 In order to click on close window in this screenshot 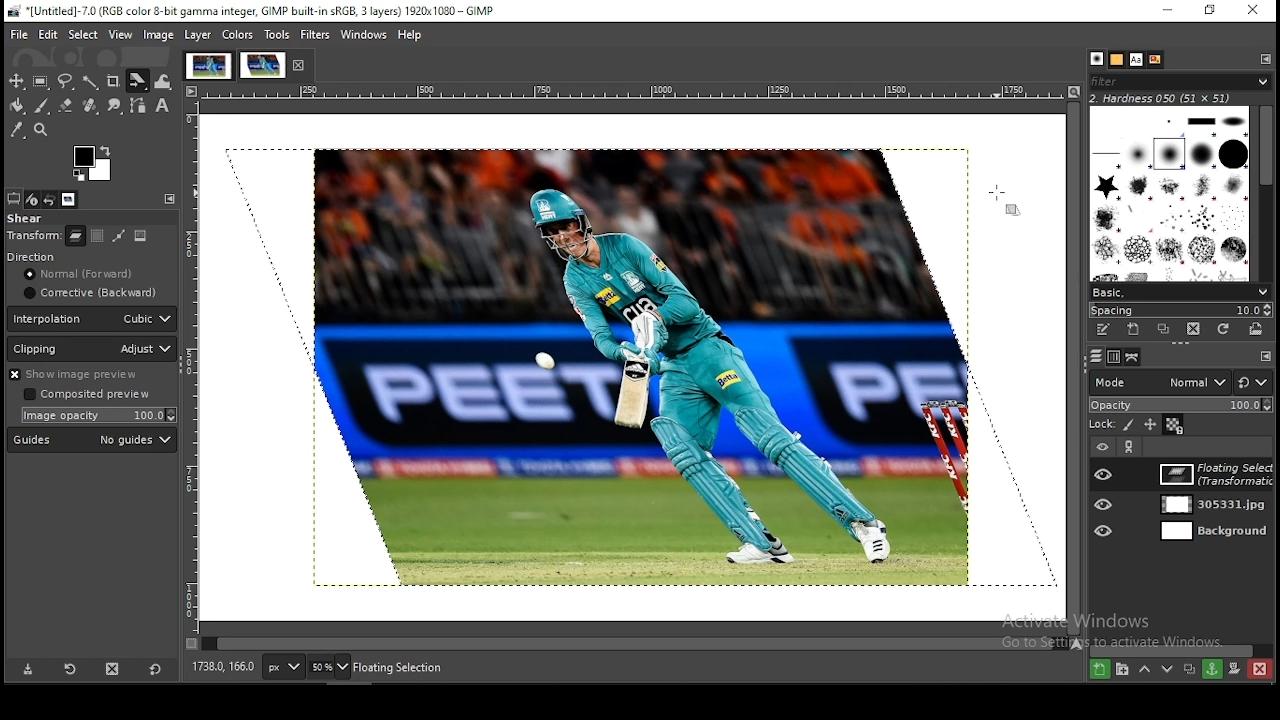, I will do `click(1249, 11)`.